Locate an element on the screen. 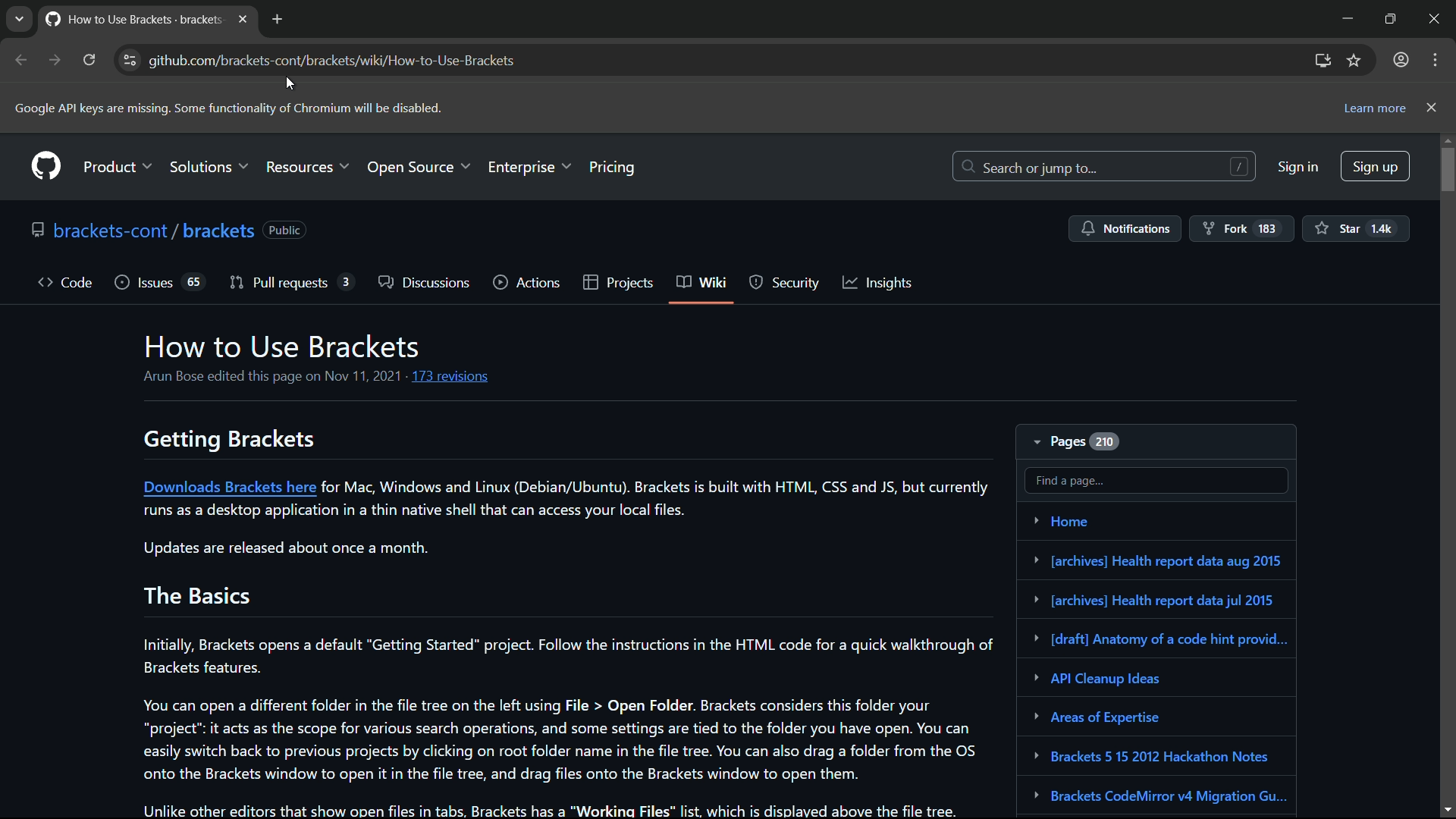  tab list is located at coordinates (21, 20).